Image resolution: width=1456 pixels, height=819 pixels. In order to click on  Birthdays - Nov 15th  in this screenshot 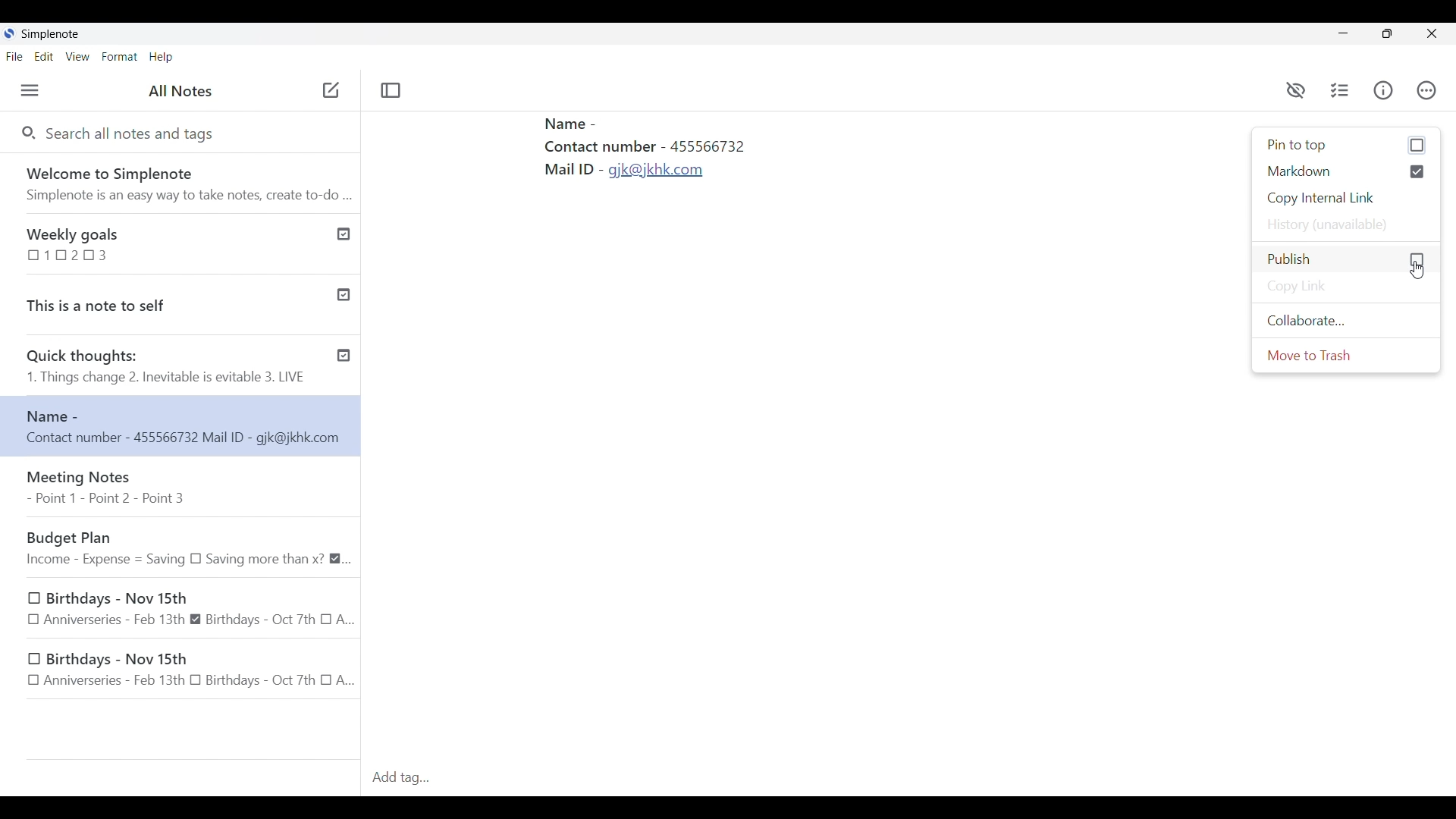, I will do `click(192, 607)`.